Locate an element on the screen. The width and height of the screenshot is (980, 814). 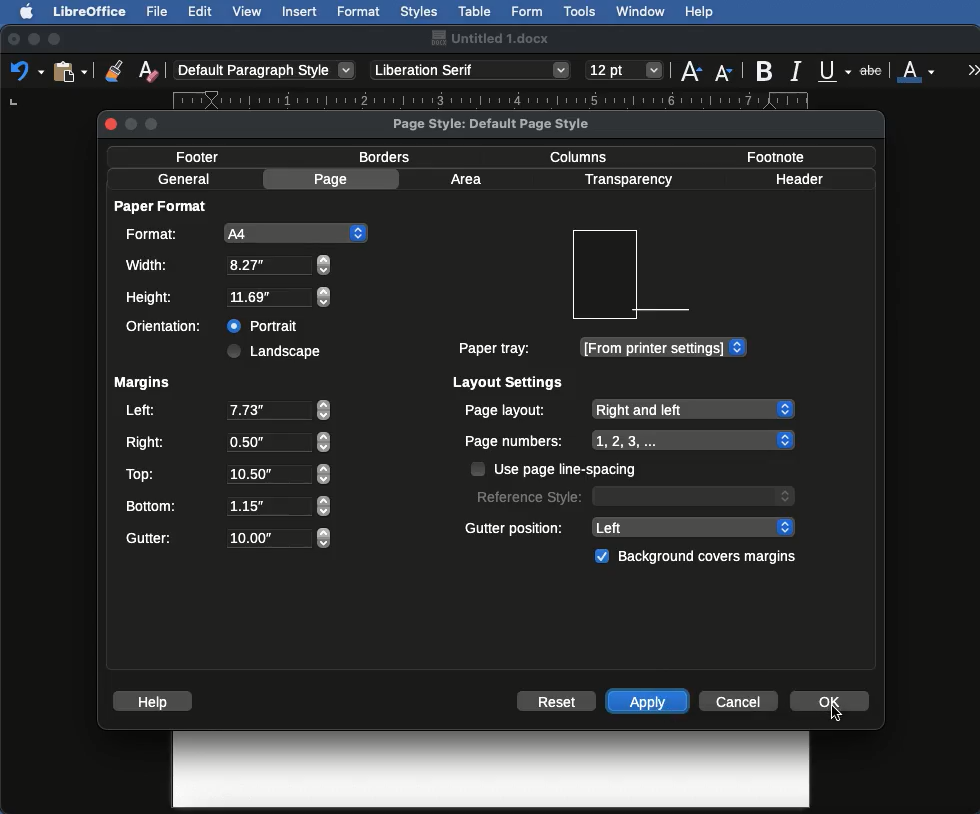
Size increase is located at coordinates (690, 69).